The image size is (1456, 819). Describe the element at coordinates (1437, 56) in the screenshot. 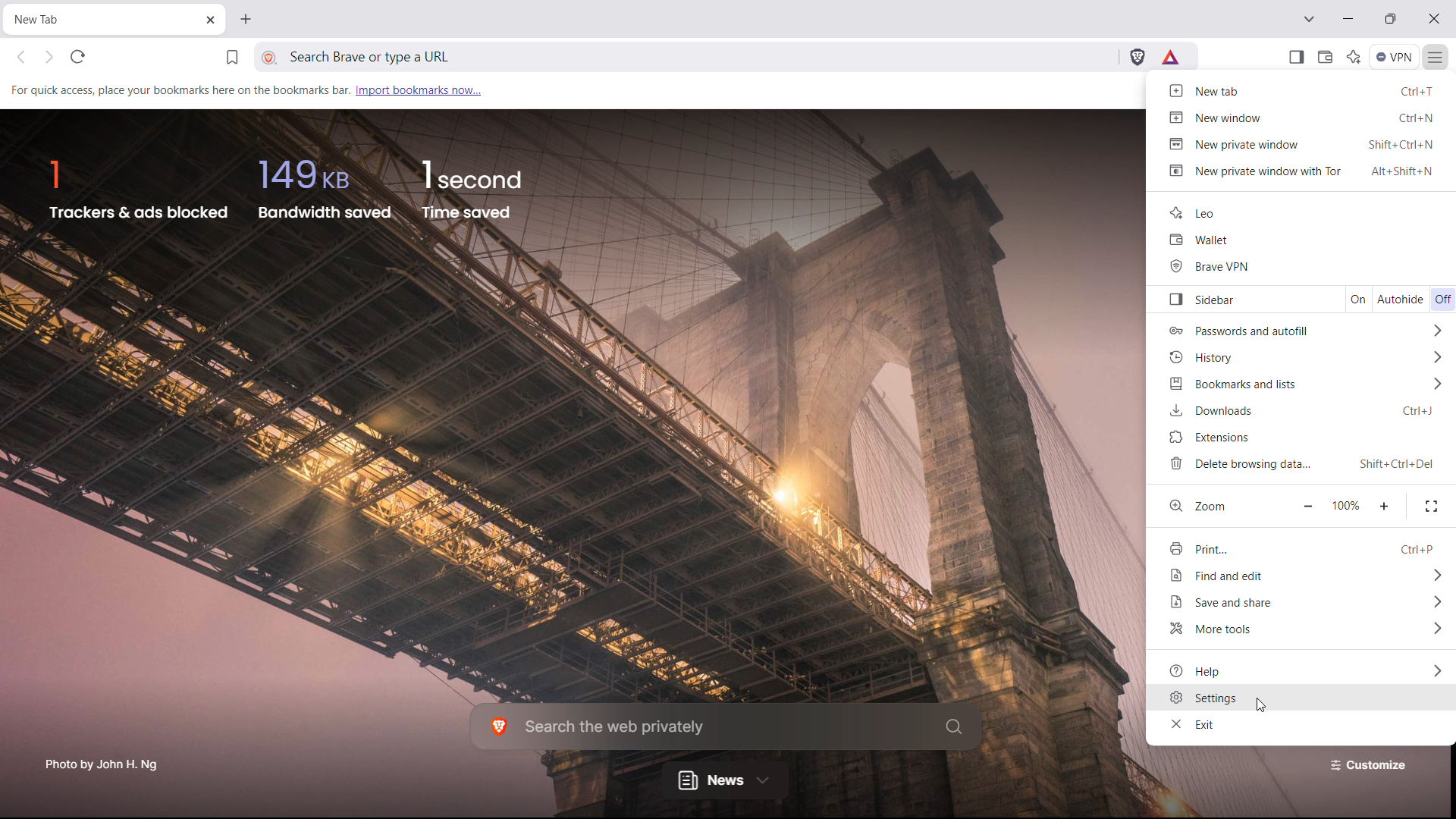

I see ` customize and control` at that location.